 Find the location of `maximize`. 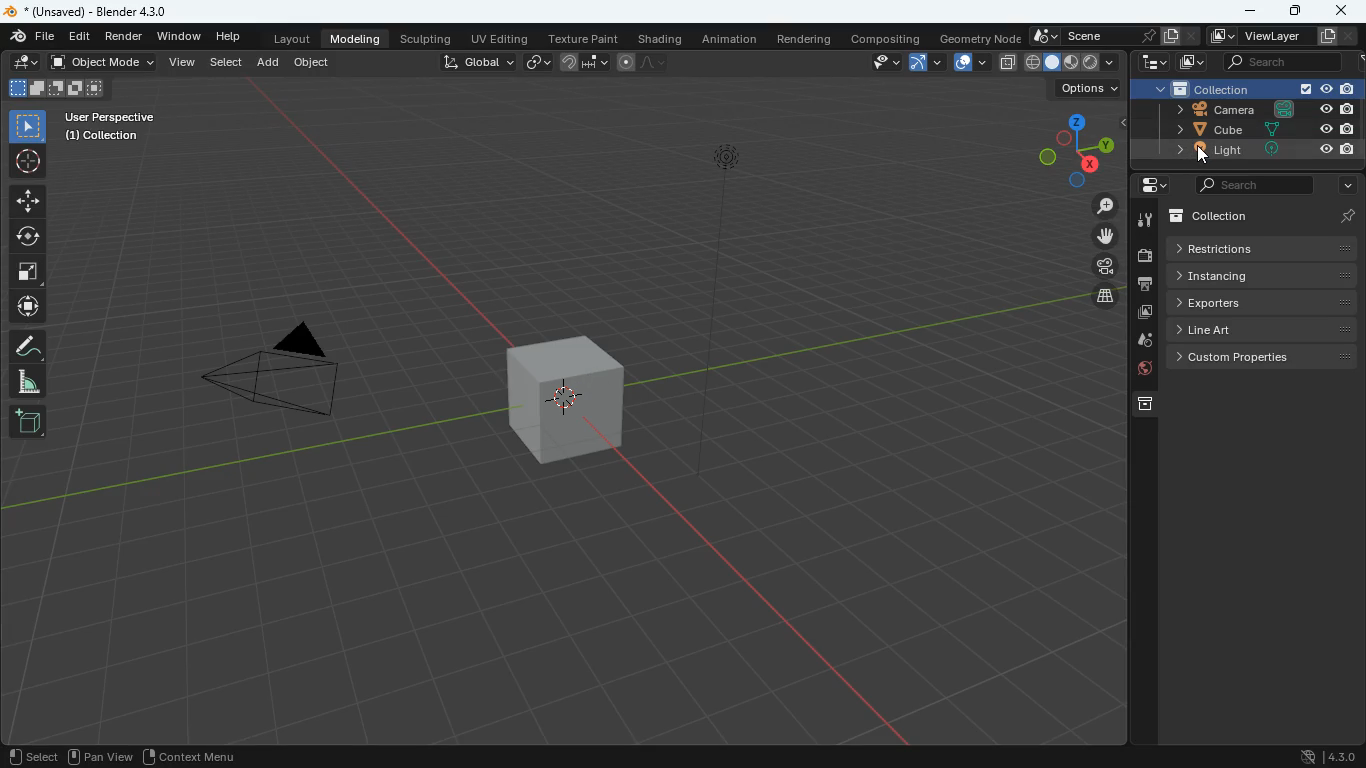

maximize is located at coordinates (1297, 12).